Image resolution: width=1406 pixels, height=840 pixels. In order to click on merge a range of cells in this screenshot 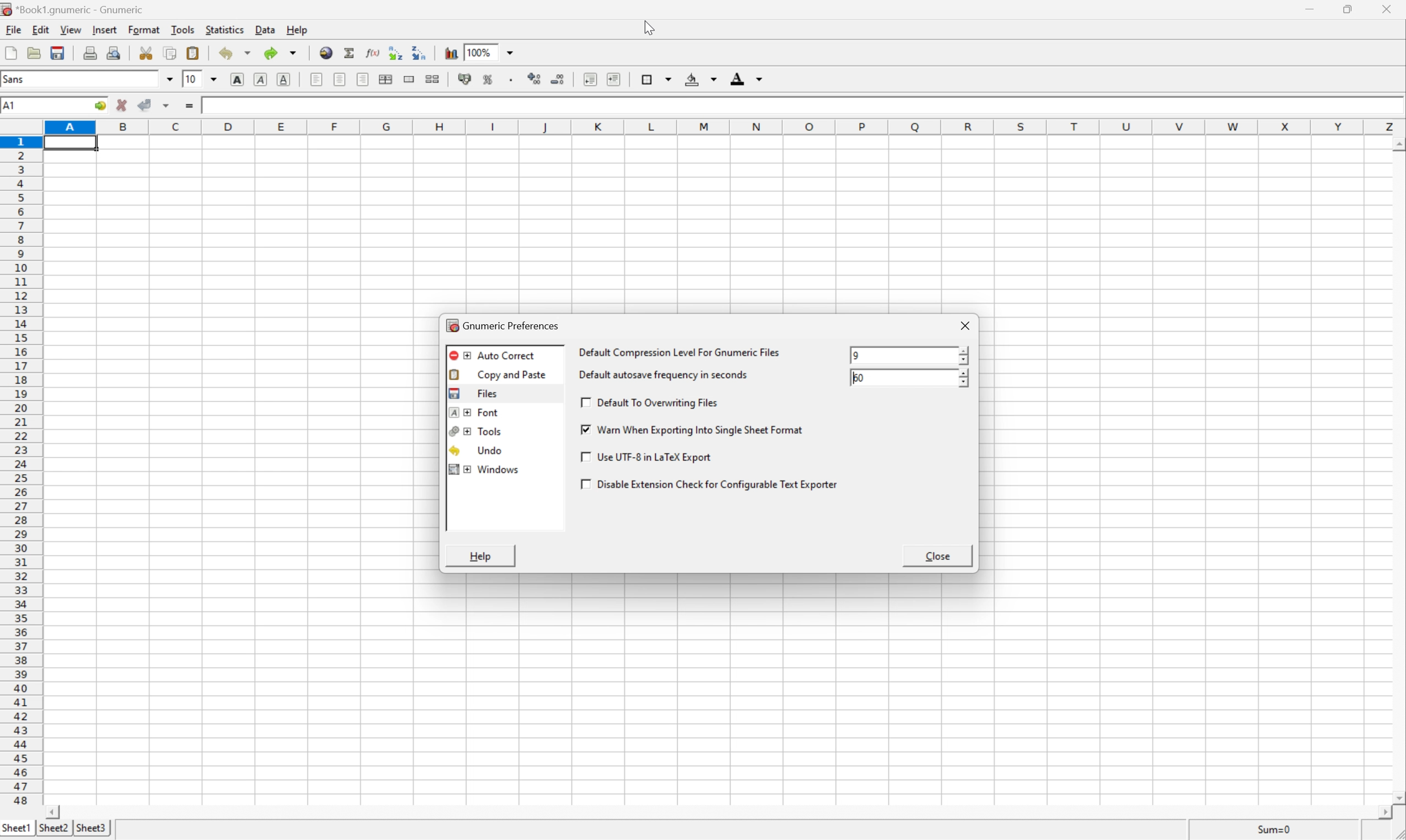, I will do `click(408, 78)`.